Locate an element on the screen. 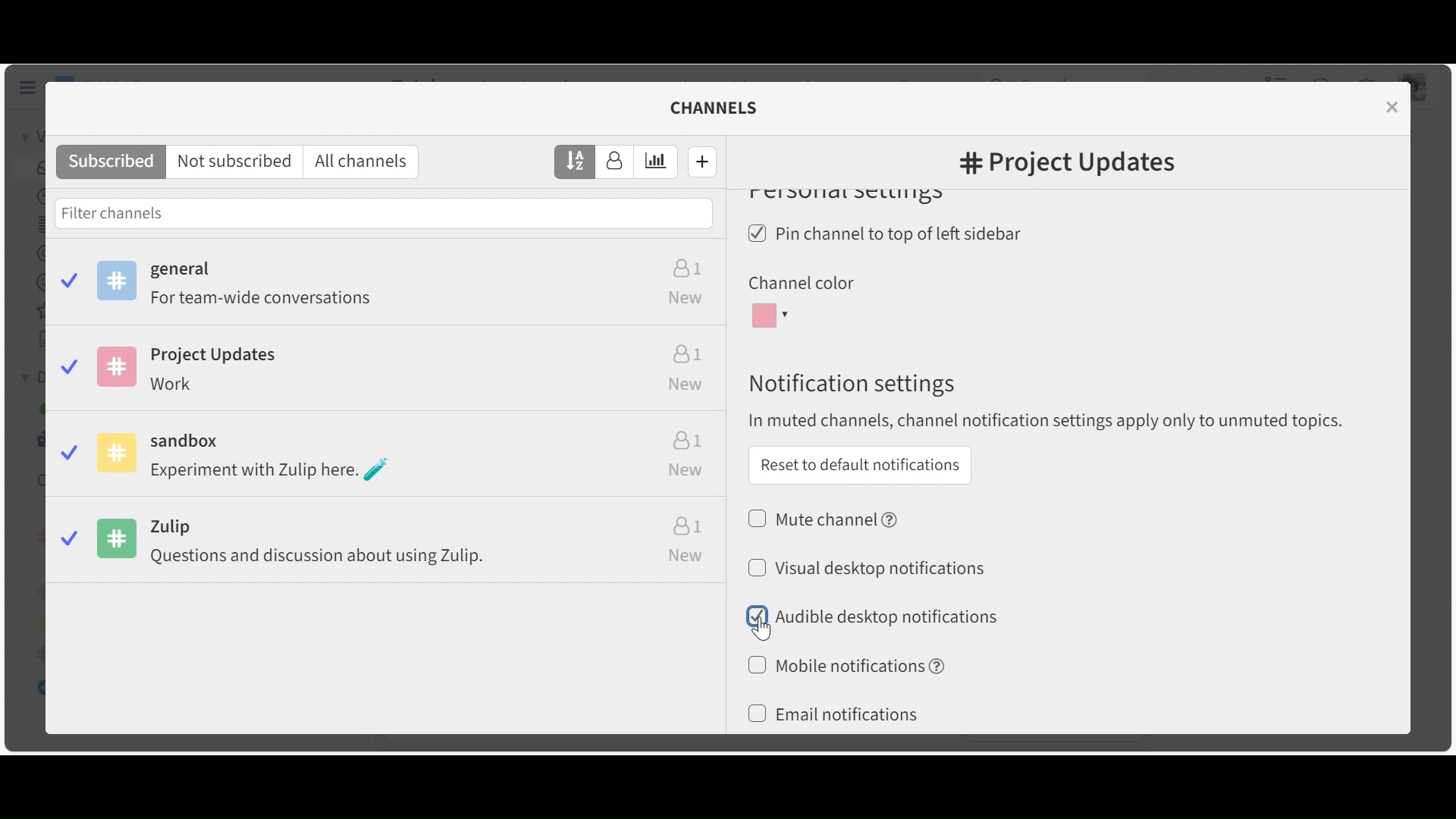 The image size is (1456, 819). In muted channels, channel notification settings apply to only to unmuted topics is located at coordinates (1053, 422).